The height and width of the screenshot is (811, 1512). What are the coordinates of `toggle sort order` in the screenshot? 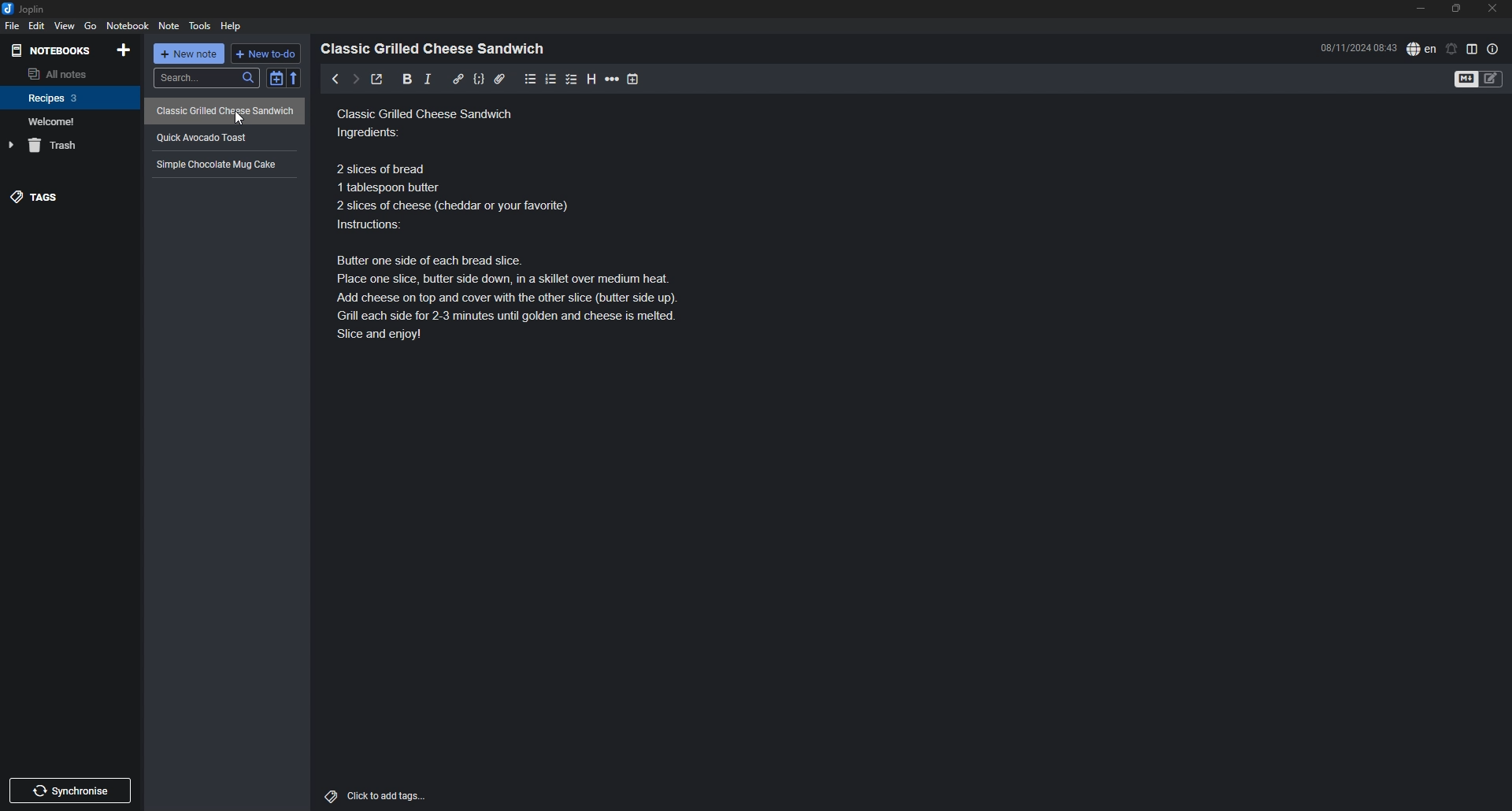 It's located at (276, 78).